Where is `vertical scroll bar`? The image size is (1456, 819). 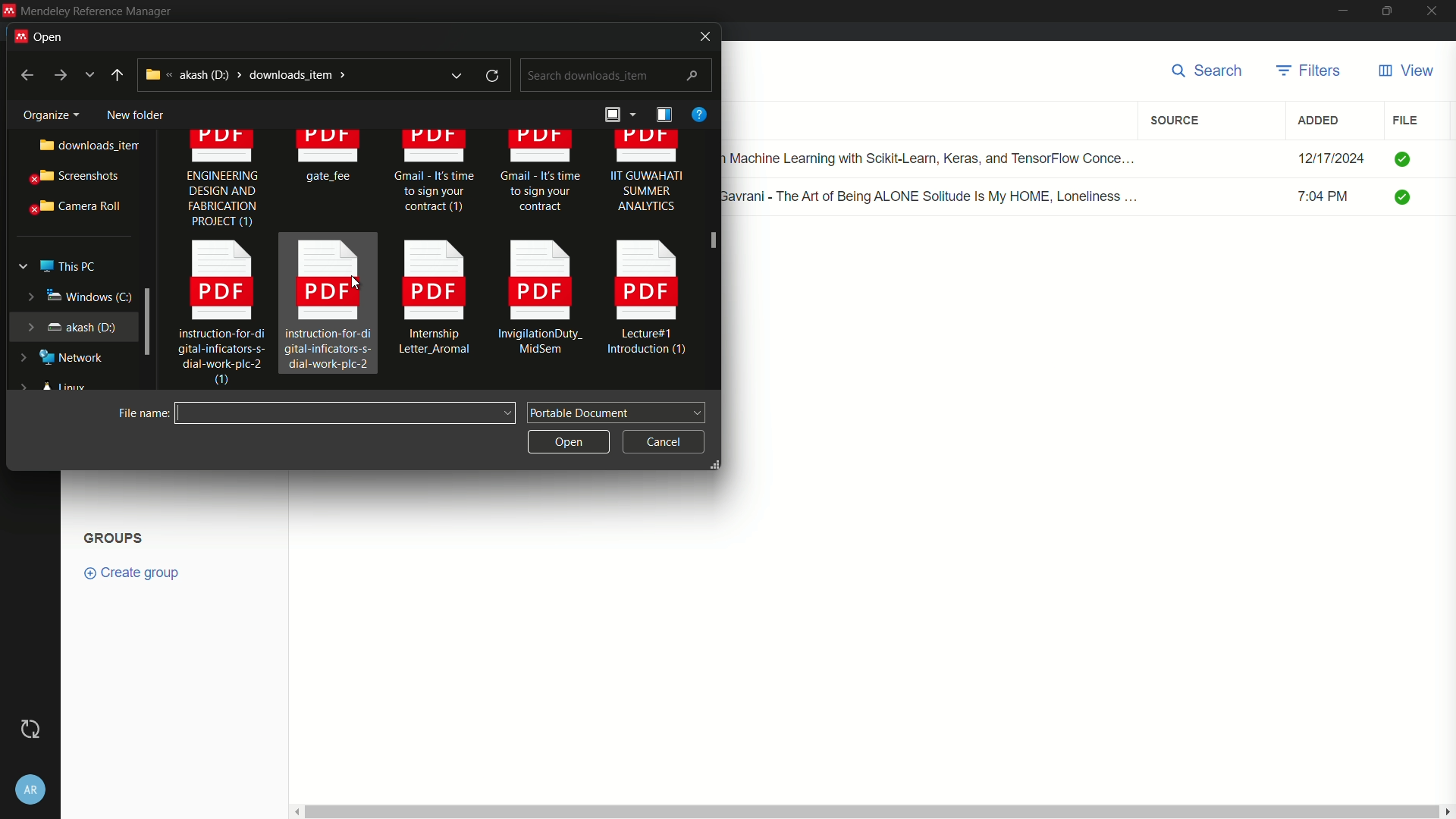 vertical scroll bar is located at coordinates (870, 811).